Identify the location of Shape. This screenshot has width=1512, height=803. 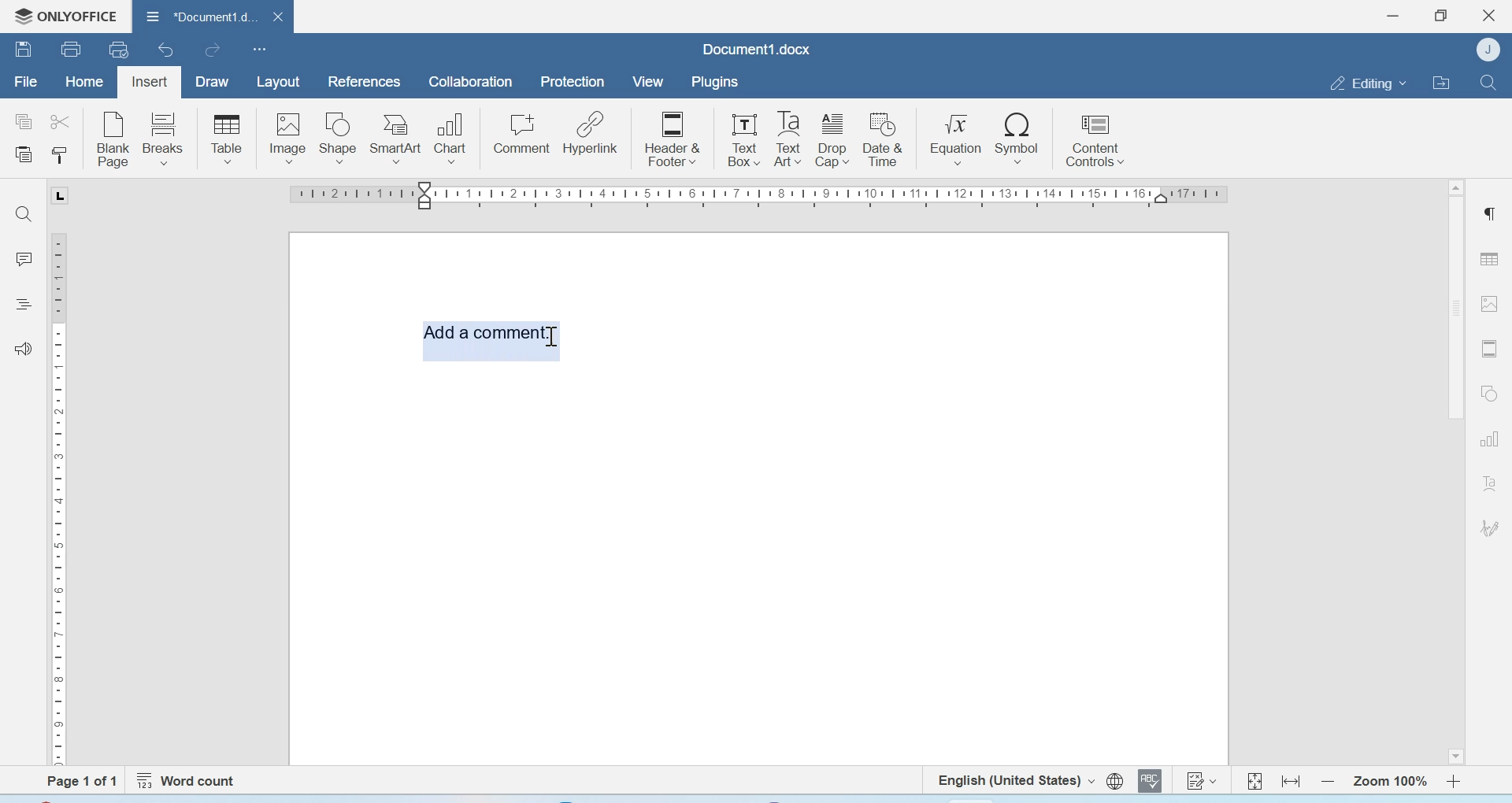
(339, 139).